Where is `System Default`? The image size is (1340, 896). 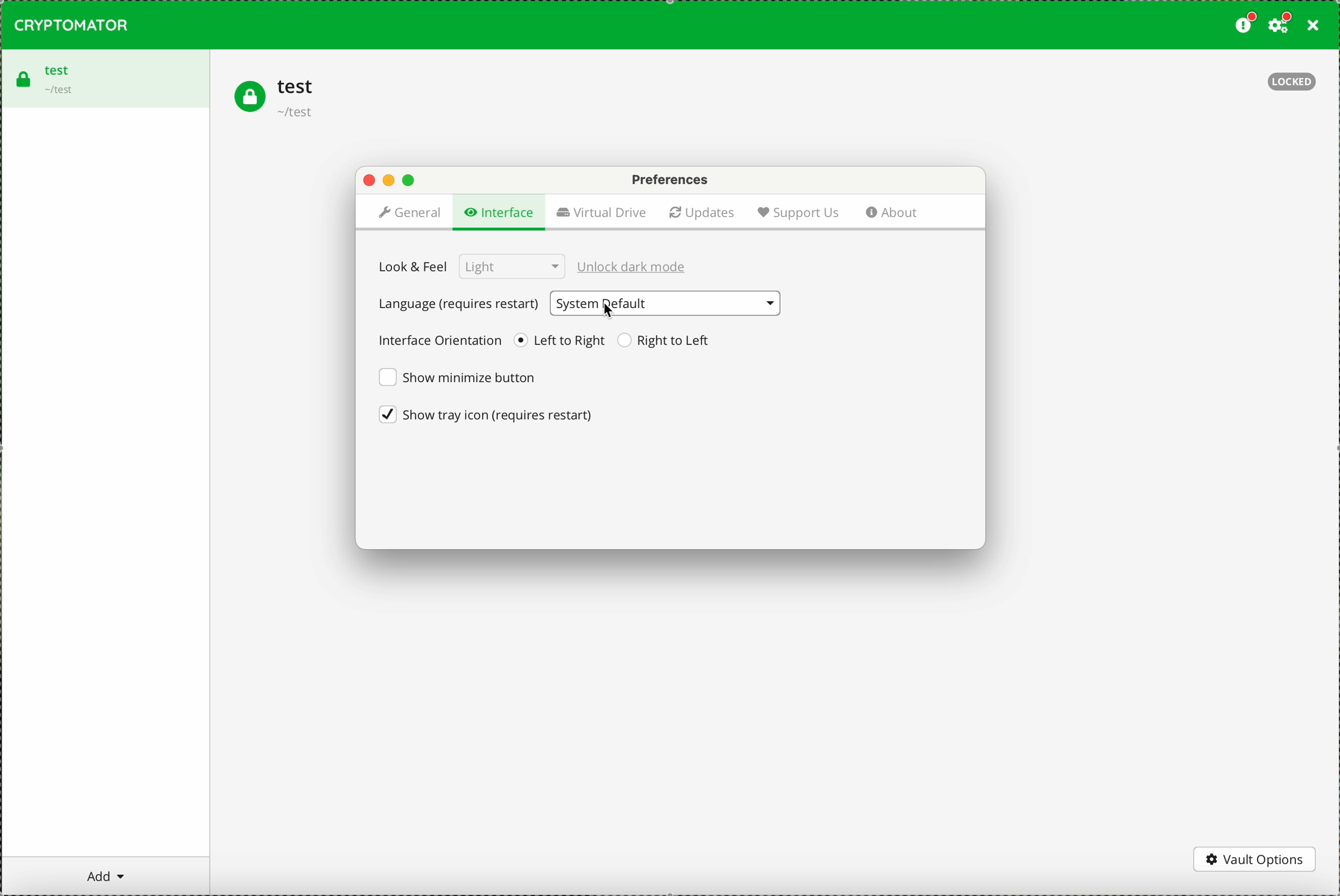 System Default is located at coordinates (667, 304).